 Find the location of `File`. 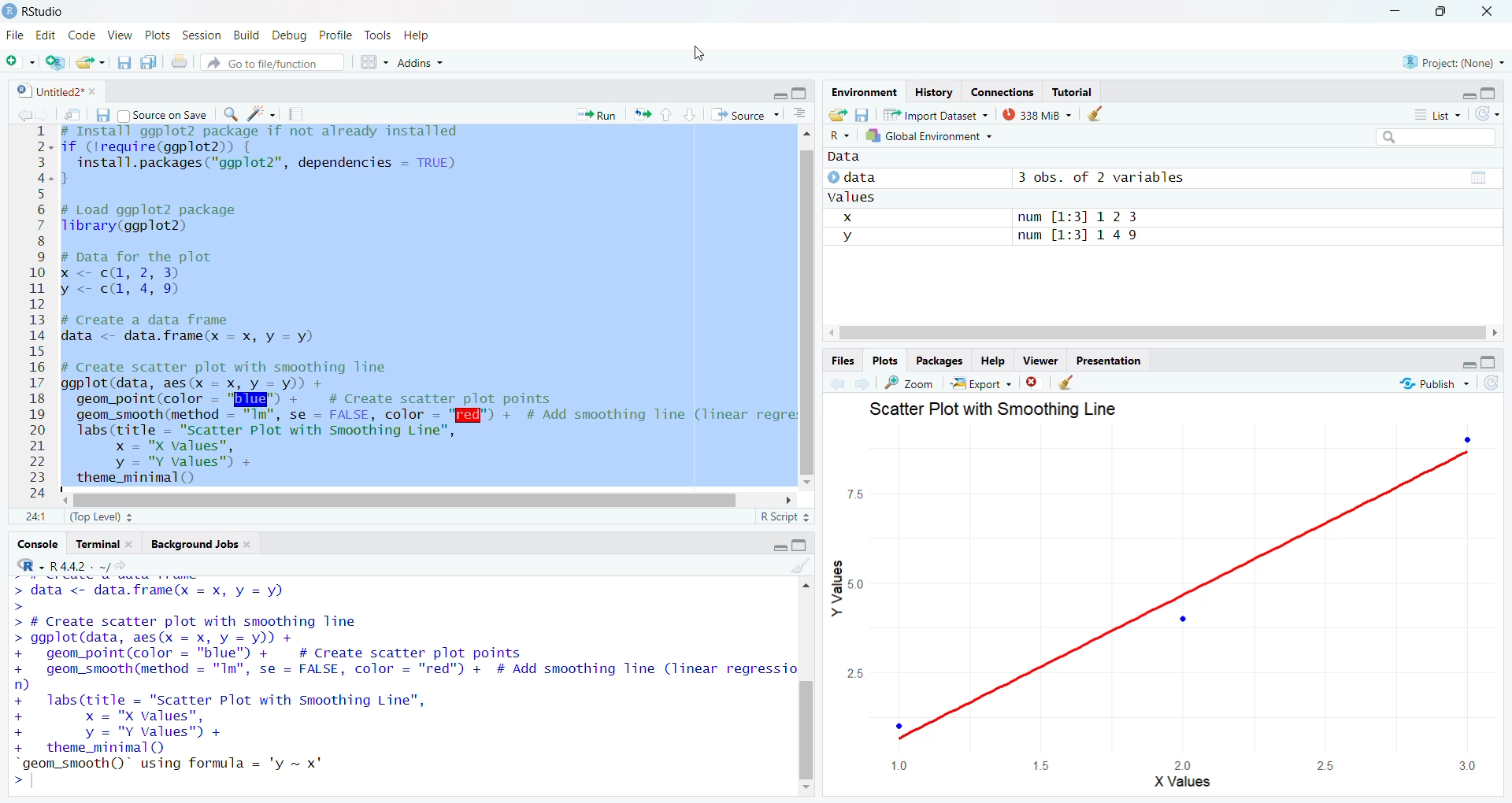

File is located at coordinates (13, 35).